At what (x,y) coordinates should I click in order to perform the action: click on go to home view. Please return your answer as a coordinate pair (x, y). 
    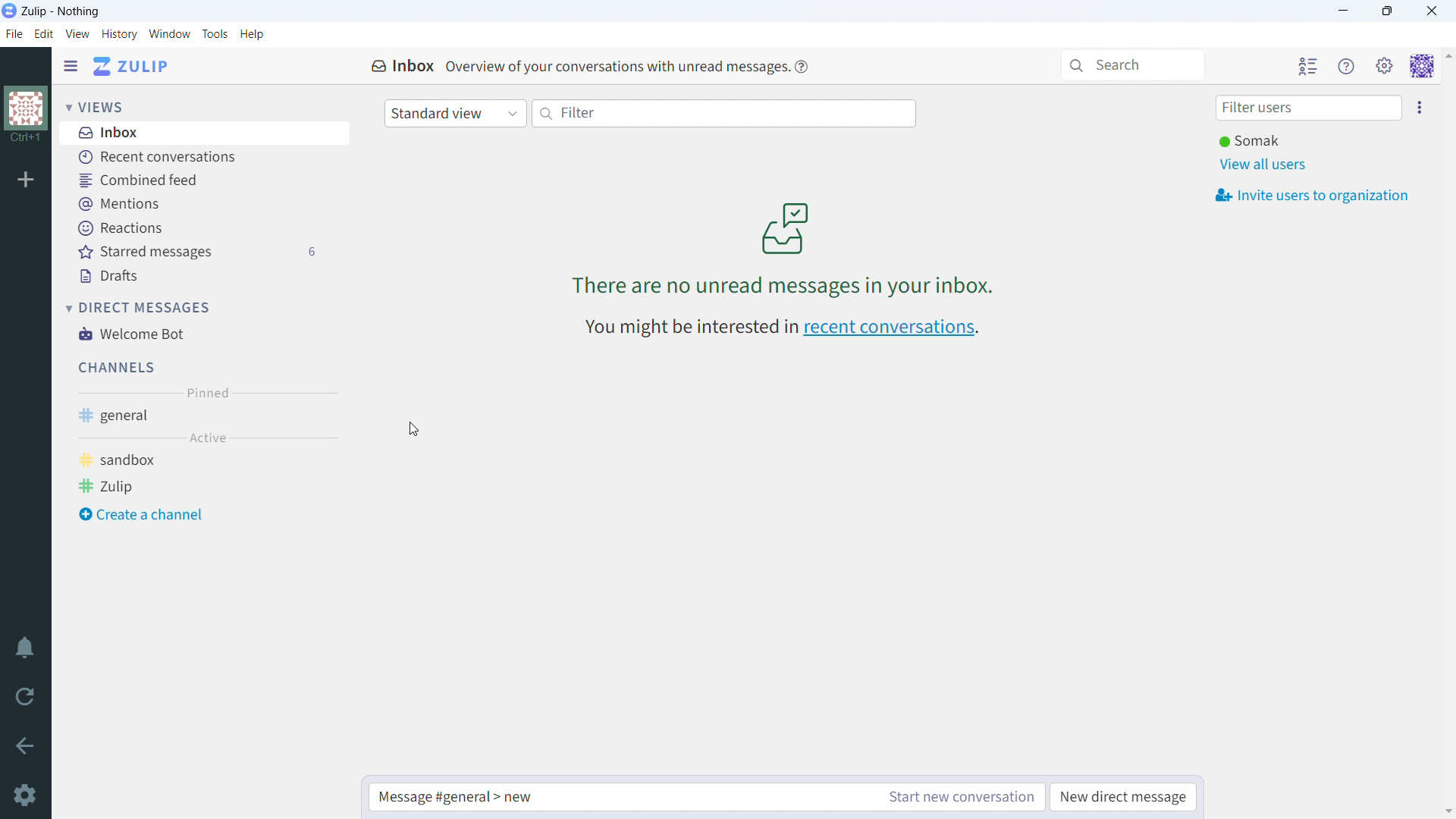
    Looking at the image, I should click on (132, 66).